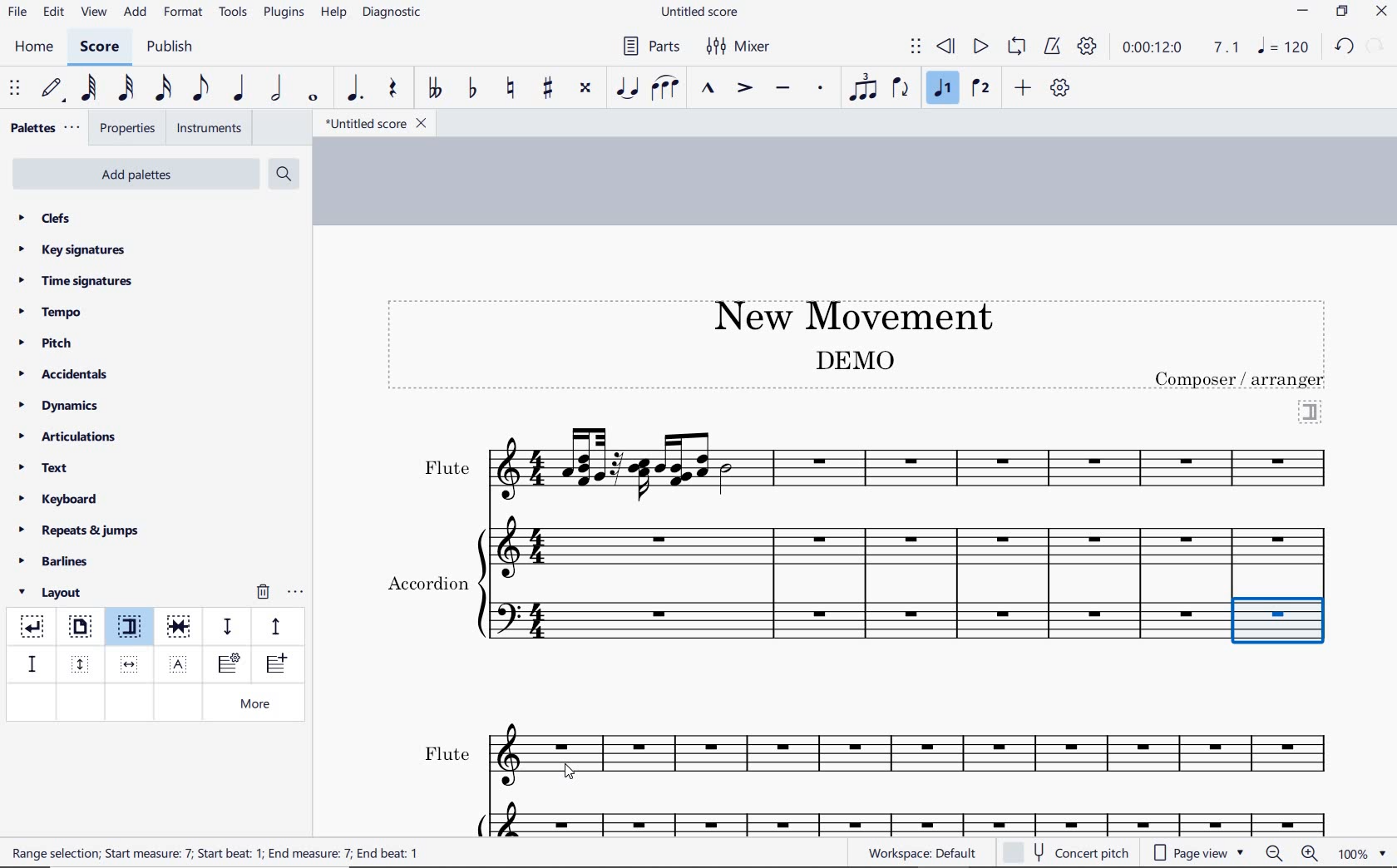  Describe the element at coordinates (702, 12) in the screenshot. I see `file name` at that location.